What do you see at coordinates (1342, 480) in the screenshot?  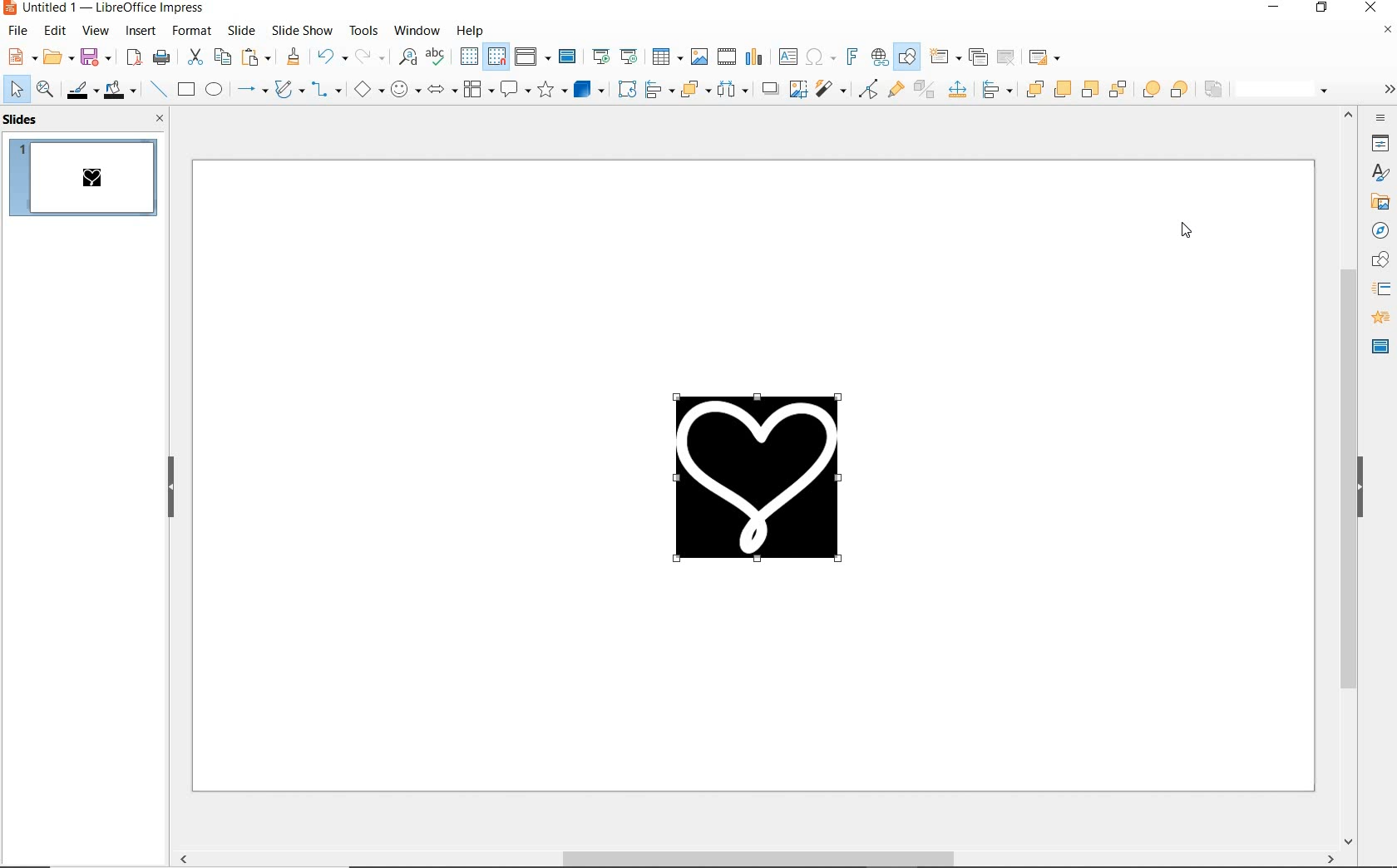 I see `Scroll` at bounding box center [1342, 480].